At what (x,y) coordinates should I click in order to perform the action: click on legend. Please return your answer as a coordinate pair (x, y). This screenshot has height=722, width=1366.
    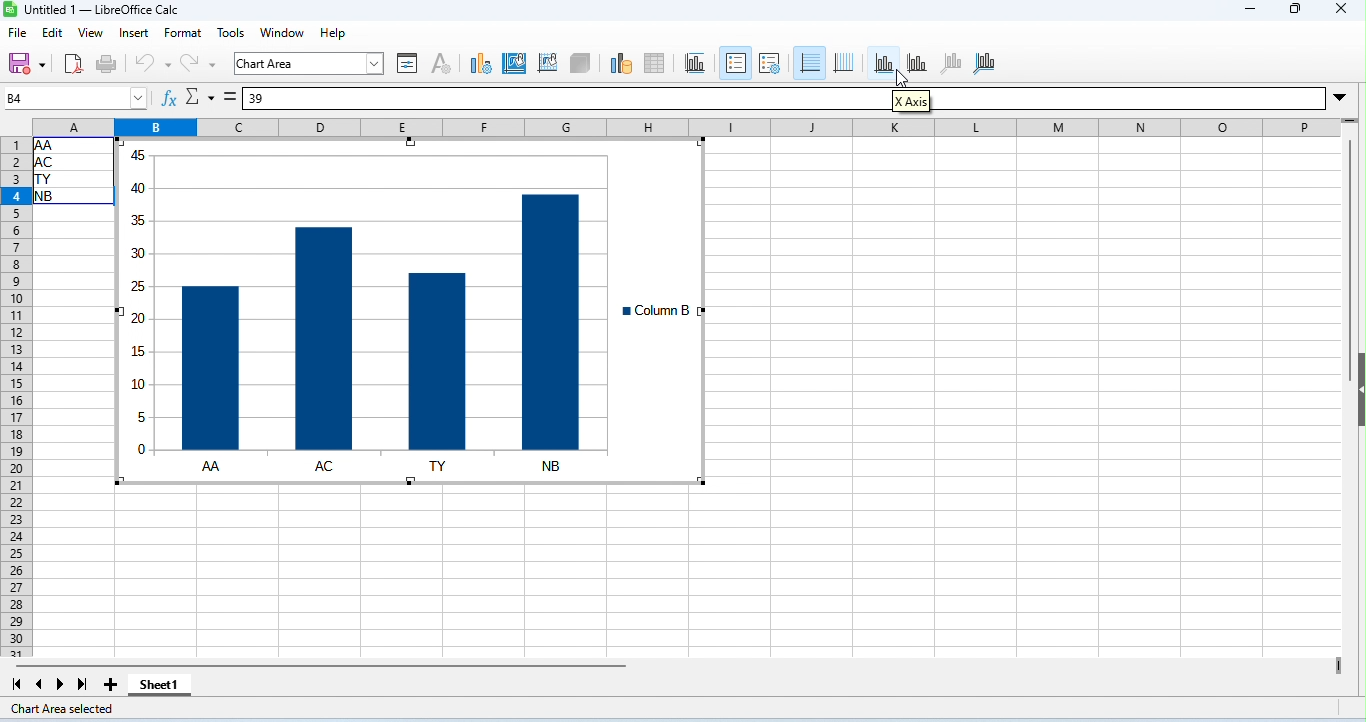
    Looking at the image, I should click on (771, 64).